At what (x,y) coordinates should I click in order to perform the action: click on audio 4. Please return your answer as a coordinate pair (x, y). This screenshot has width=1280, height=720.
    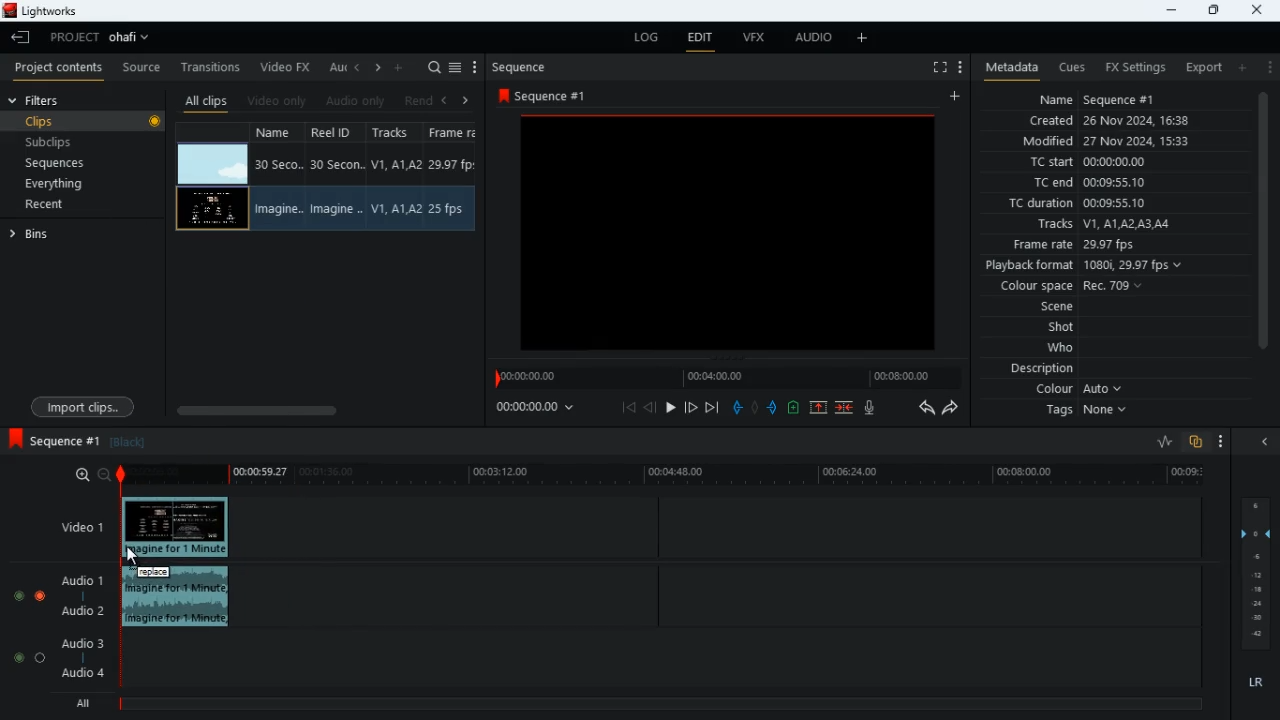
    Looking at the image, I should click on (86, 677).